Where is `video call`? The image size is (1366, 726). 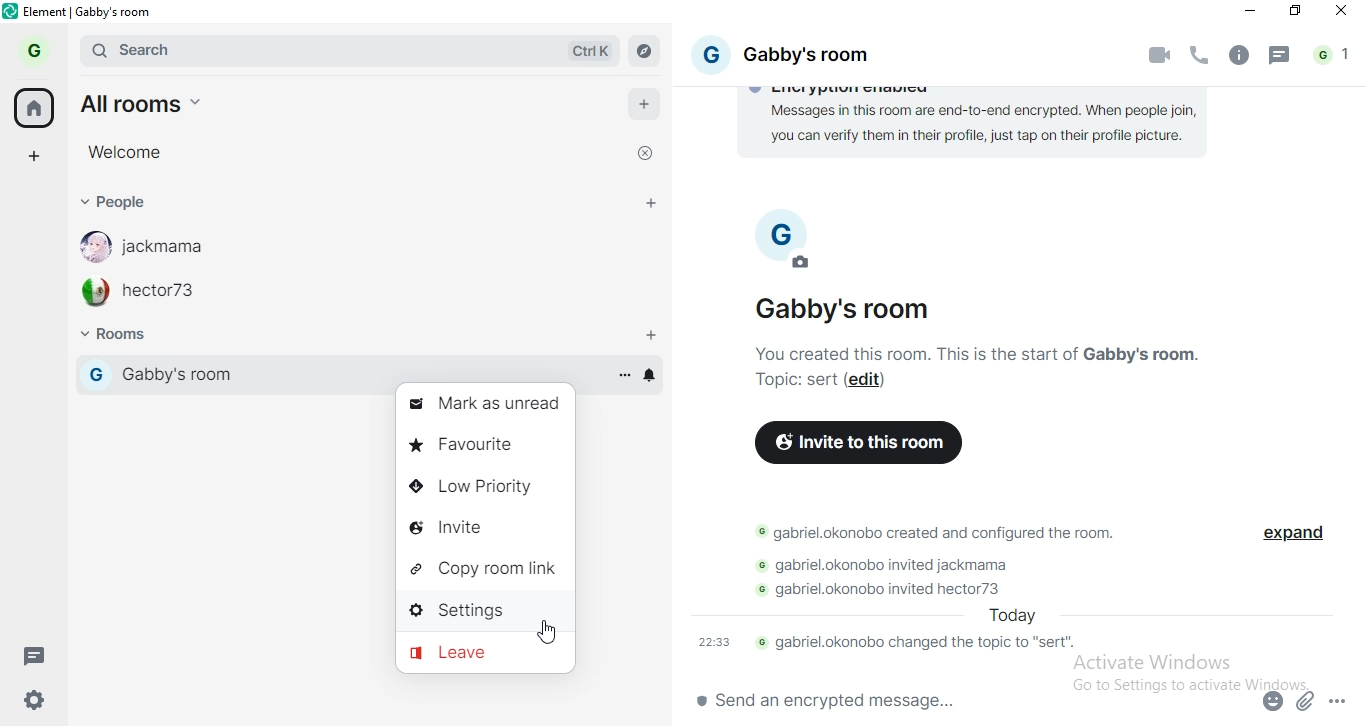
video call is located at coordinates (1162, 55).